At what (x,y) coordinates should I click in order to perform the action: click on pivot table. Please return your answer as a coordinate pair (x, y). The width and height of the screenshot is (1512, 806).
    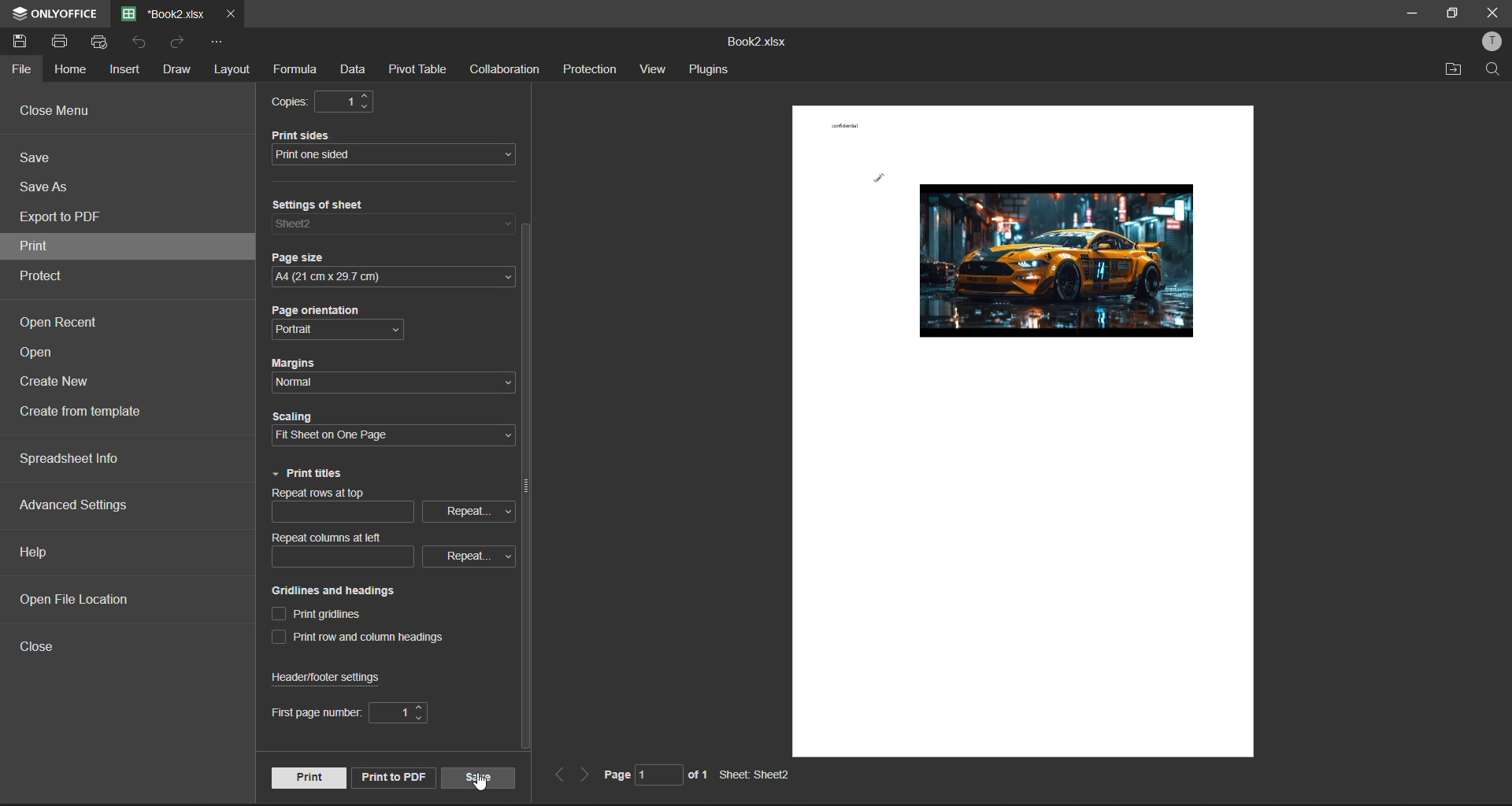
    Looking at the image, I should click on (419, 72).